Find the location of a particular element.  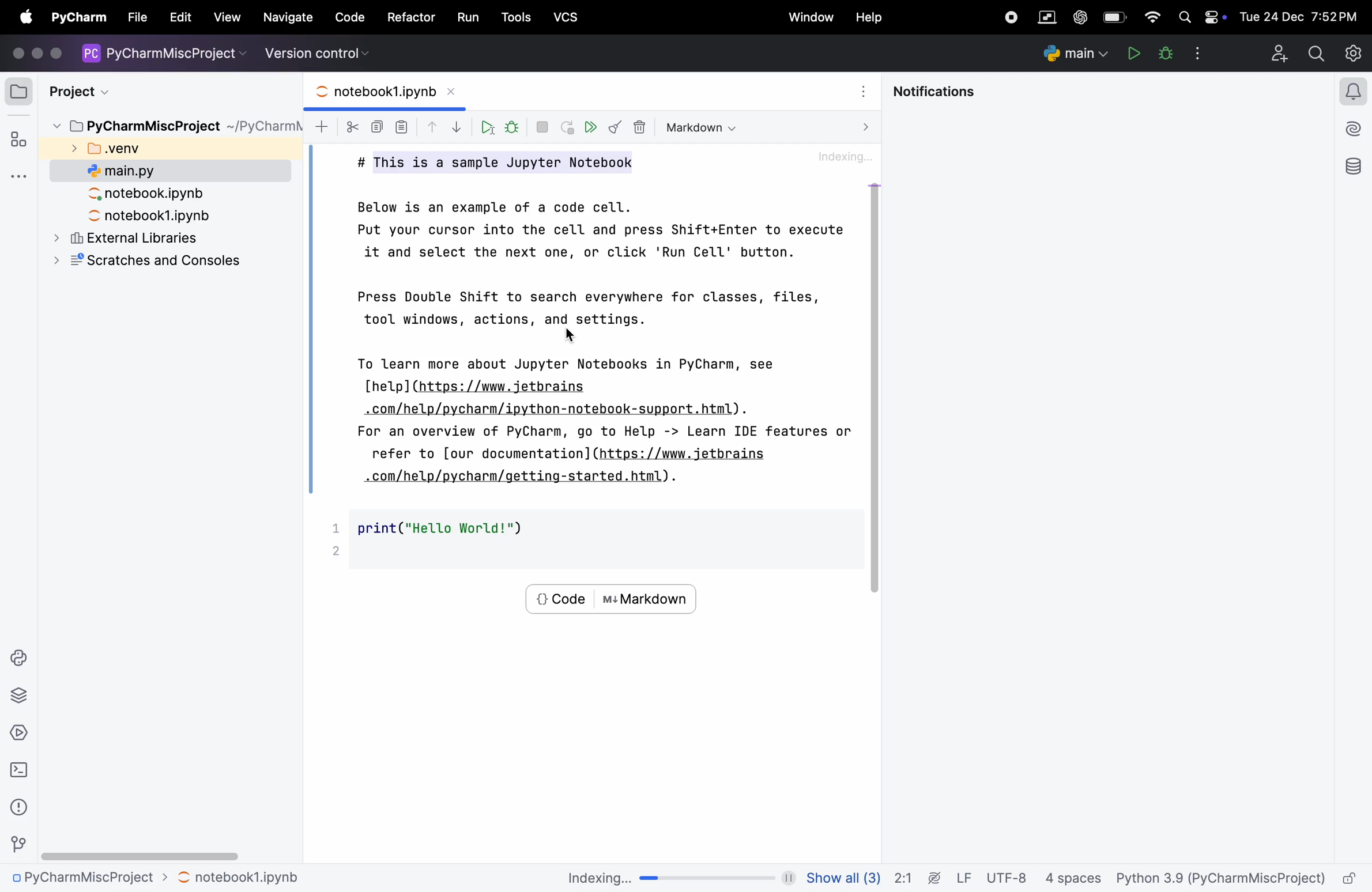

database is located at coordinates (1349, 170).